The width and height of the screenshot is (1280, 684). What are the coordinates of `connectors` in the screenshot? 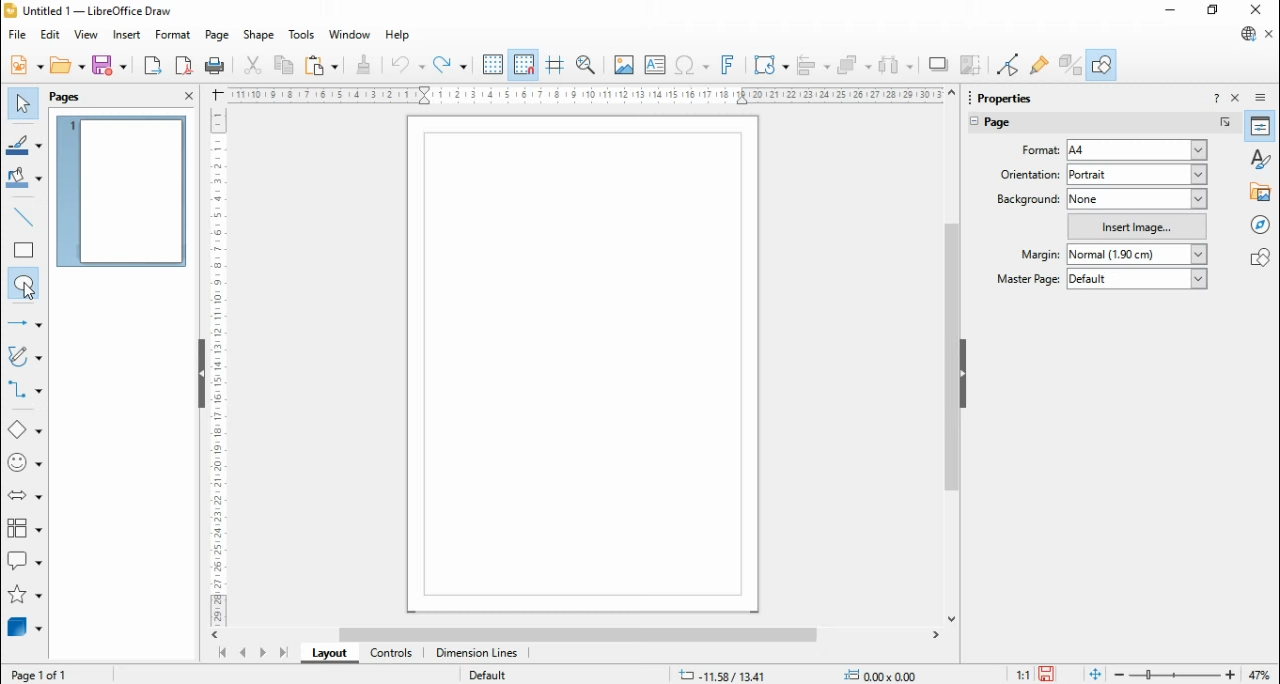 It's located at (25, 390).